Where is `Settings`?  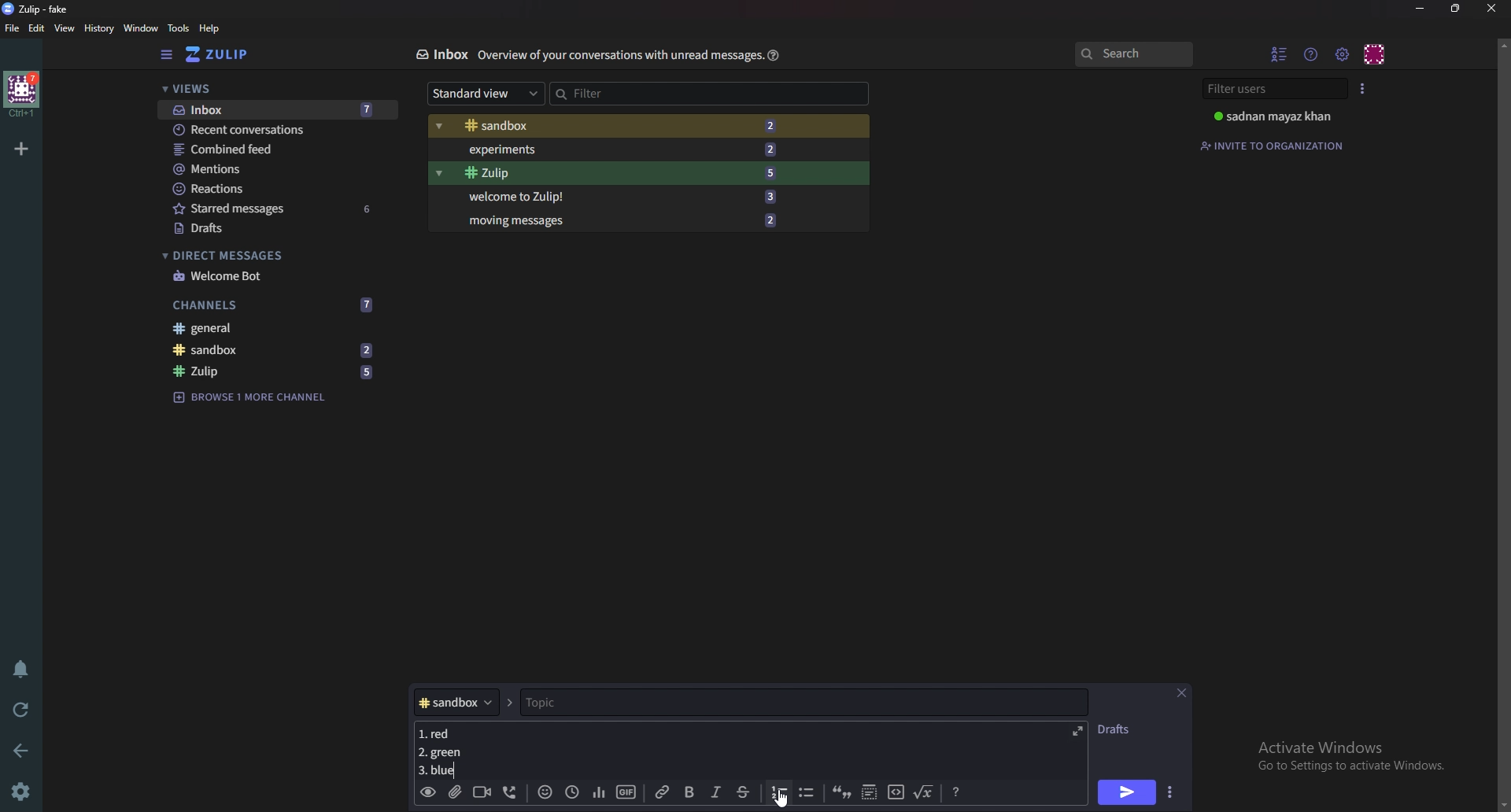
Settings is located at coordinates (24, 791).